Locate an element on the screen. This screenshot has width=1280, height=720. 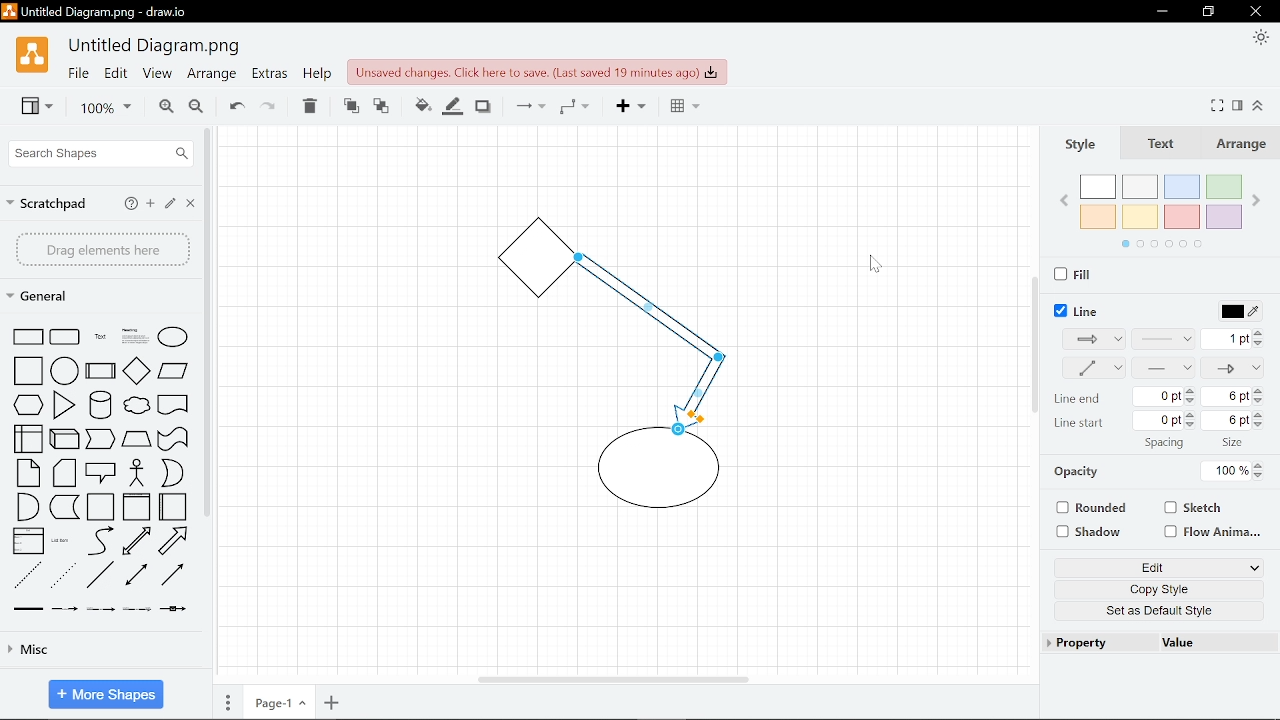
General shapes is located at coordinates (49, 297).